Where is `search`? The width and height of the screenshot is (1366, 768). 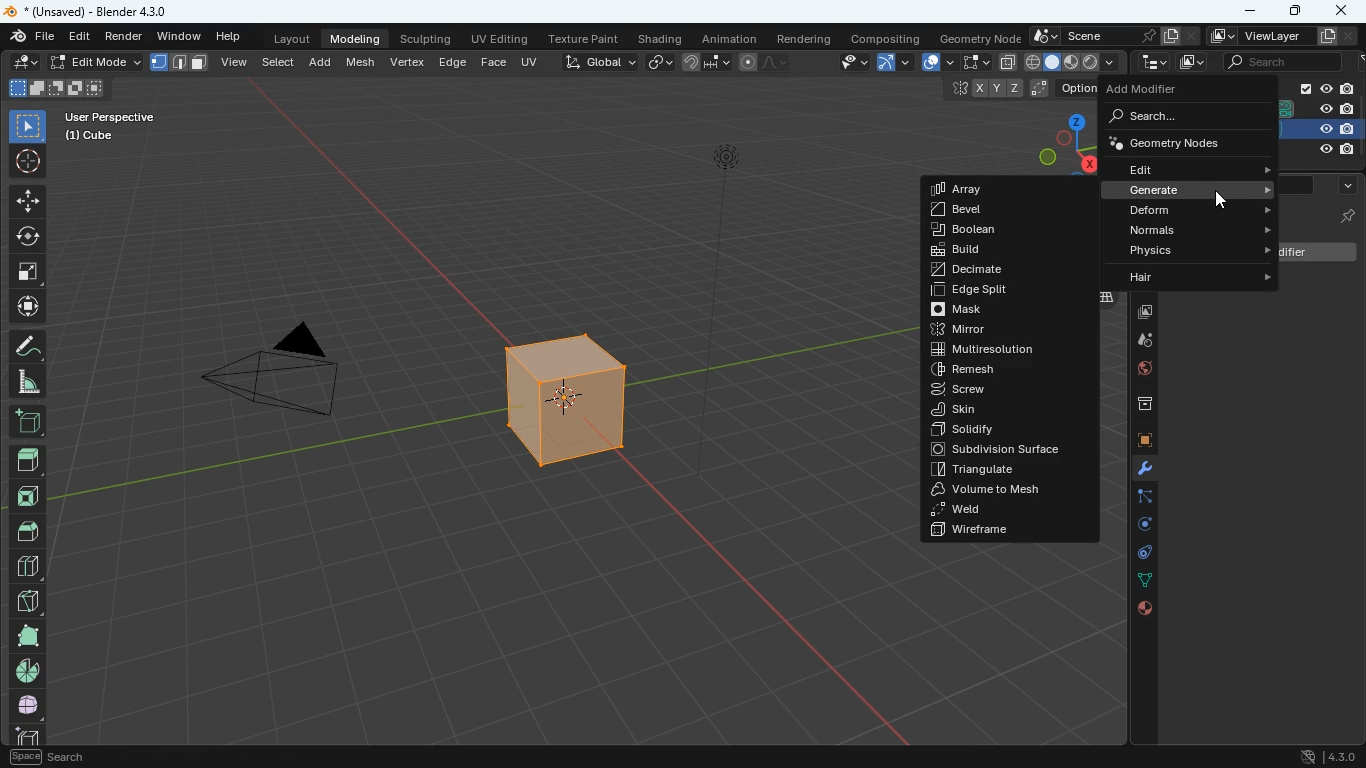 search is located at coordinates (1295, 188).